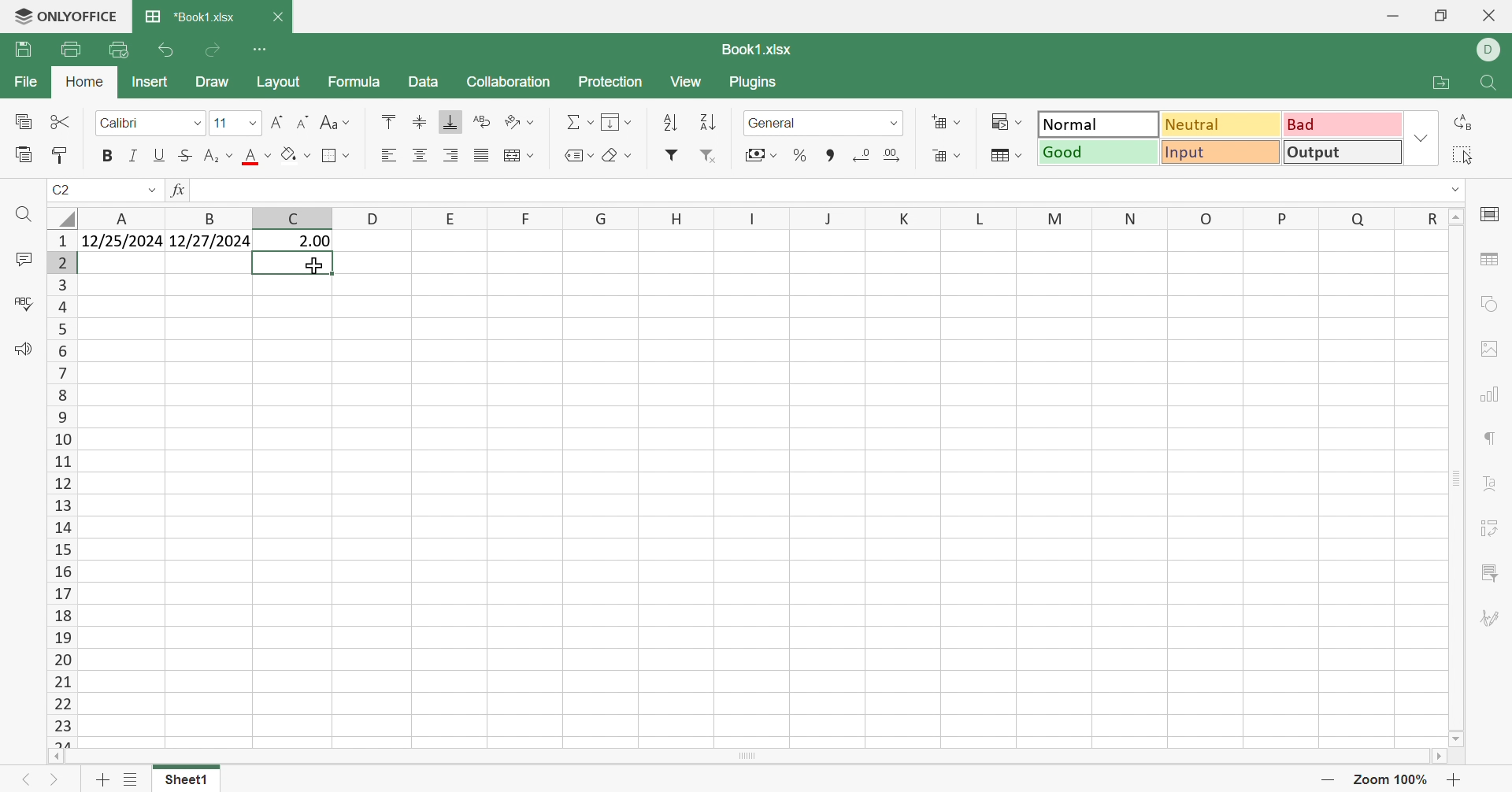  Describe the element at coordinates (1341, 151) in the screenshot. I see `Output` at that location.